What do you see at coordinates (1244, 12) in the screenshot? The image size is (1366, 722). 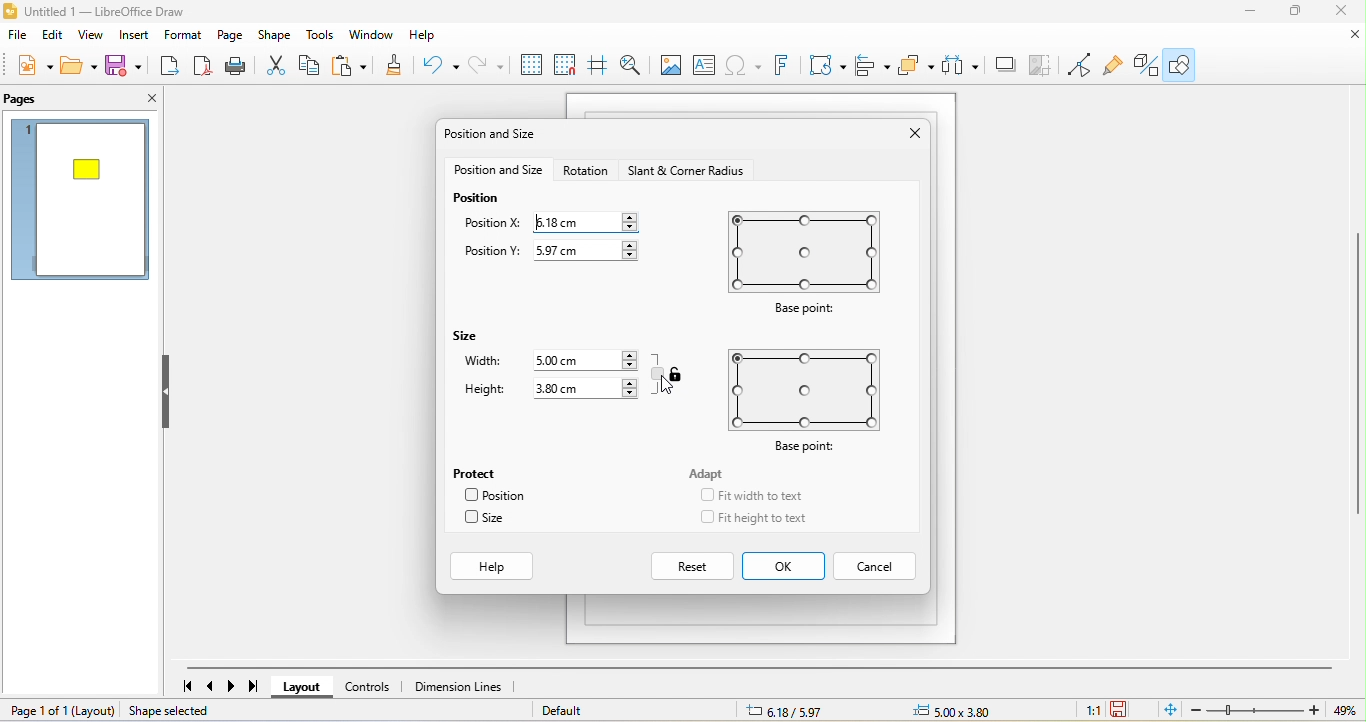 I see `minimize` at bounding box center [1244, 12].